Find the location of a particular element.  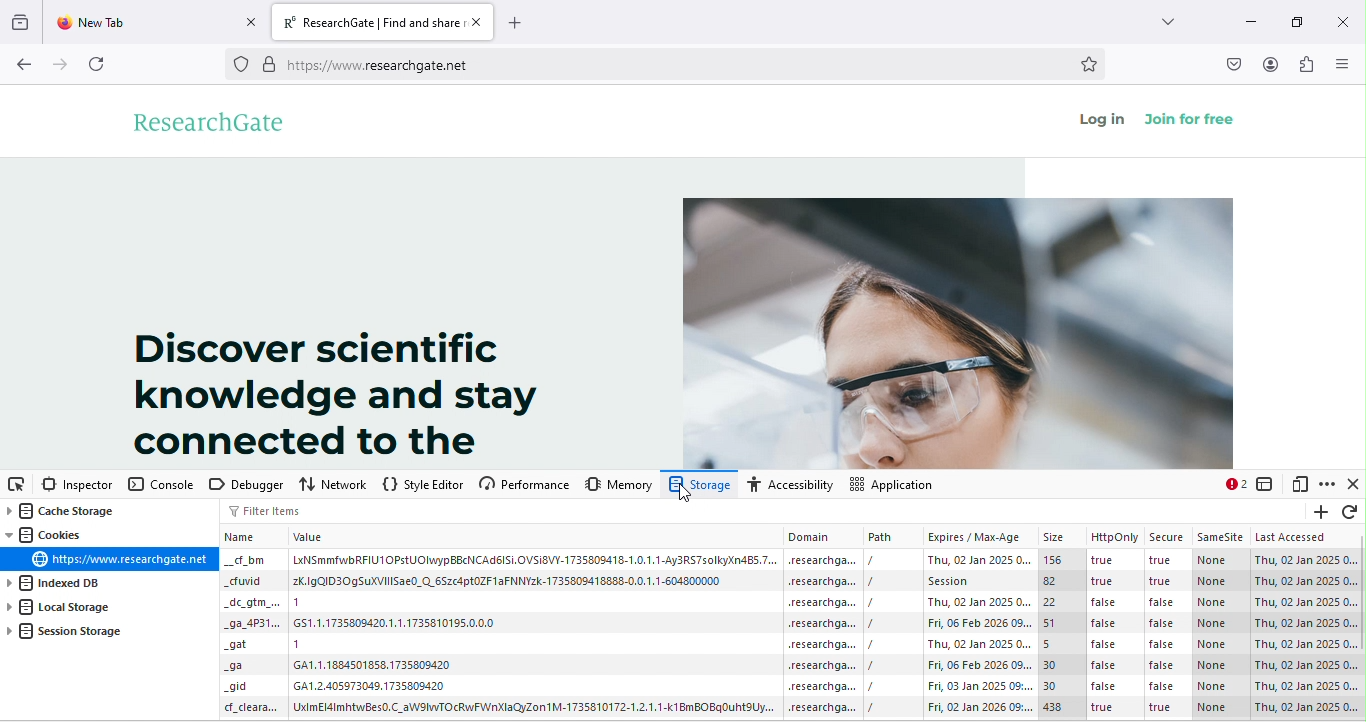

date is located at coordinates (980, 561).